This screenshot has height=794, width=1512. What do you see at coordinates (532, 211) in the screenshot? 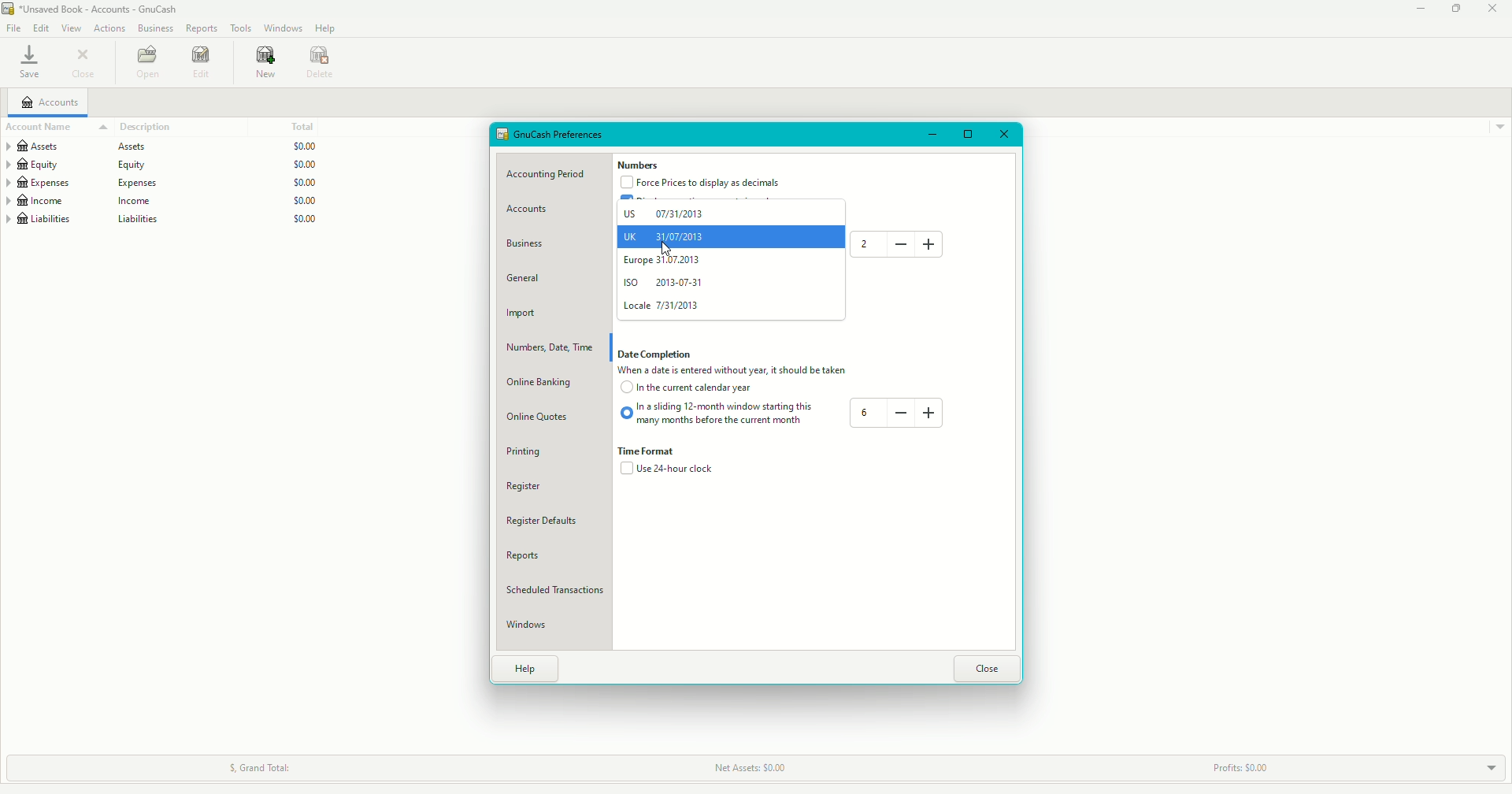
I see `Accounts` at bounding box center [532, 211].